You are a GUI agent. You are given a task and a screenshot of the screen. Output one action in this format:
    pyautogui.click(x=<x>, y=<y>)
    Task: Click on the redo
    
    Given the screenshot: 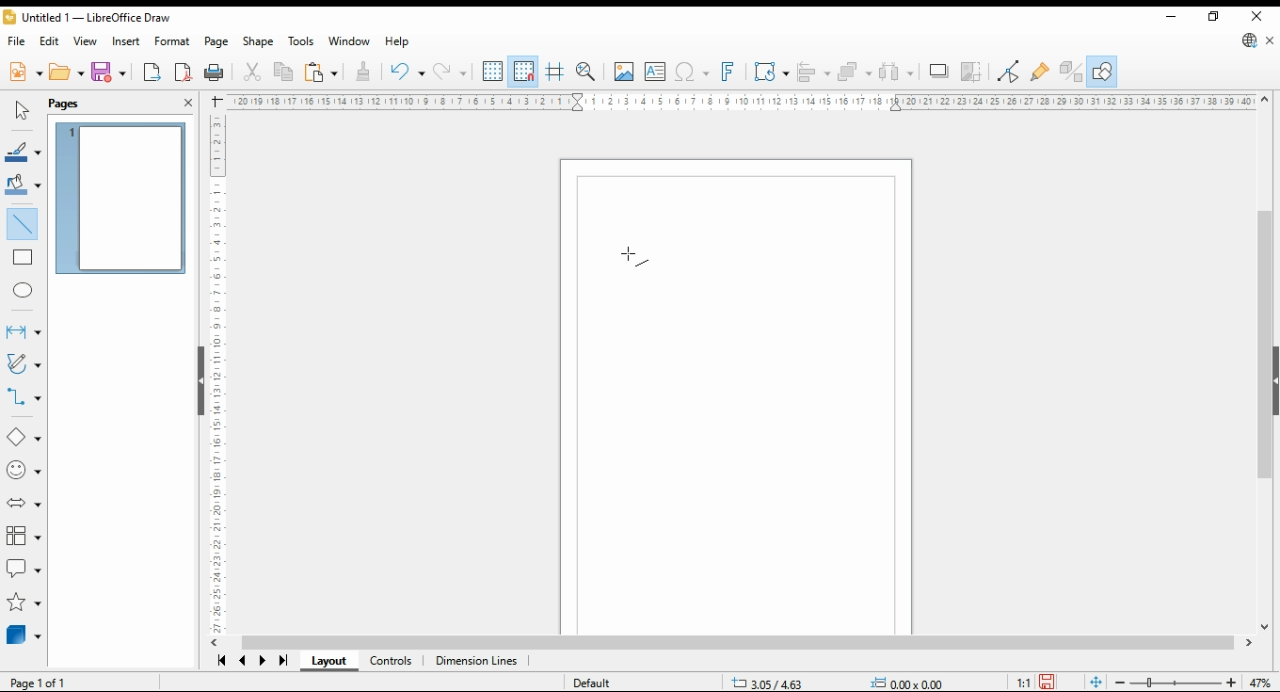 What is the action you would take?
    pyautogui.click(x=406, y=73)
    